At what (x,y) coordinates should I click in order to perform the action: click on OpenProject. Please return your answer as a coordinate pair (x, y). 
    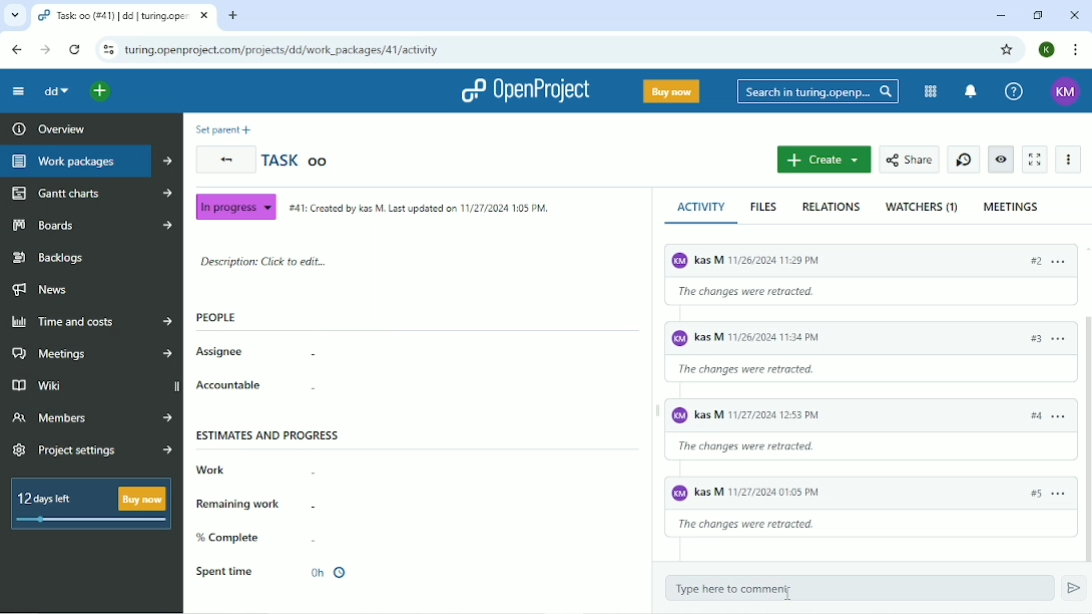
    Looking at the image, I should click on (526, 91).